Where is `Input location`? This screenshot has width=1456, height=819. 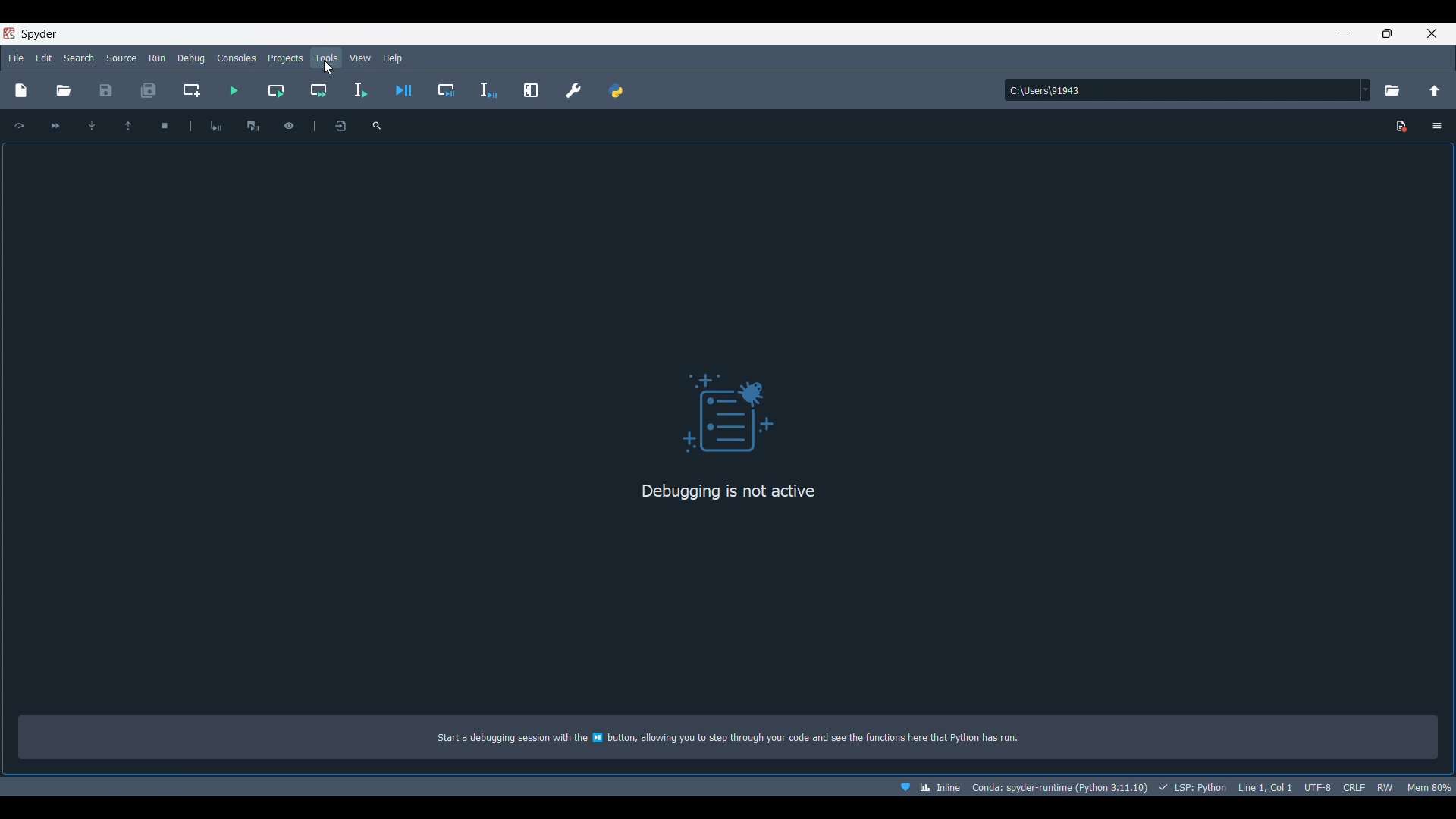 Input location is located at coordinates (1182, 90).